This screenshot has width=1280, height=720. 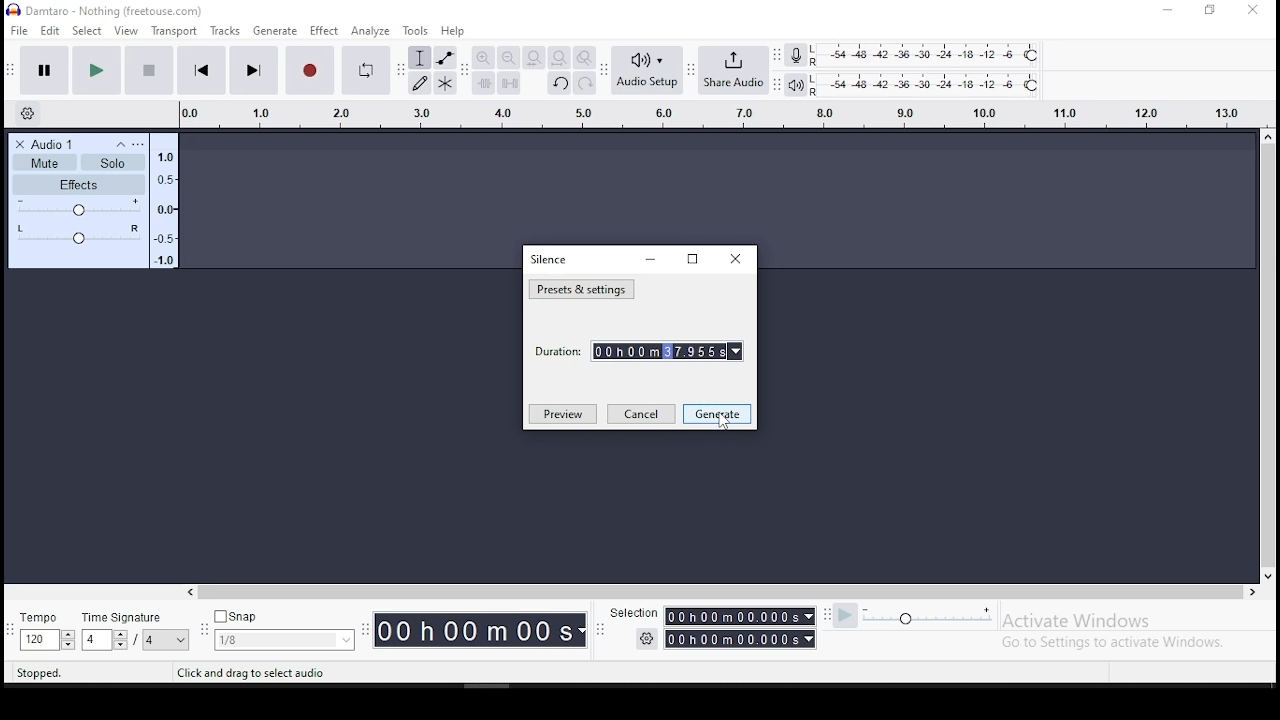 I want to click on track's timing, so click(x=717, y=112).